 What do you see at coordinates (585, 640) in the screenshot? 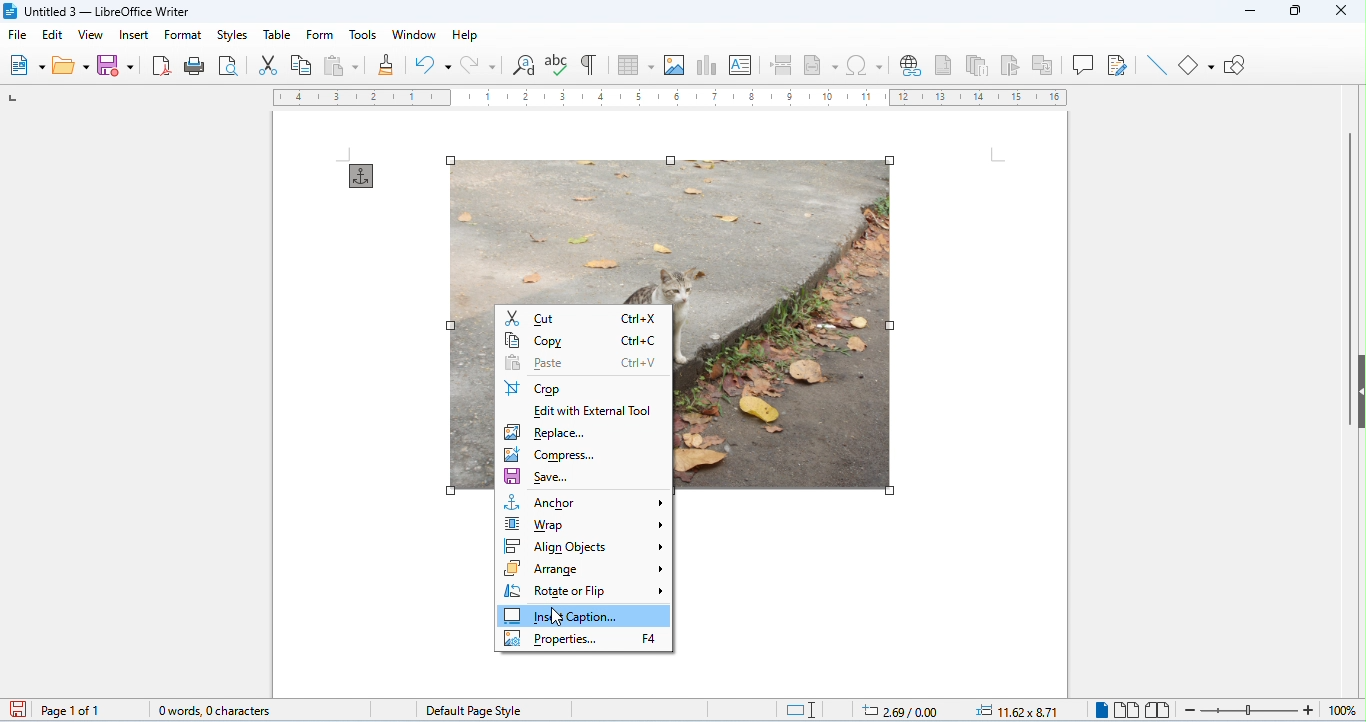
I see `properties` at bounding box center [585, 640].